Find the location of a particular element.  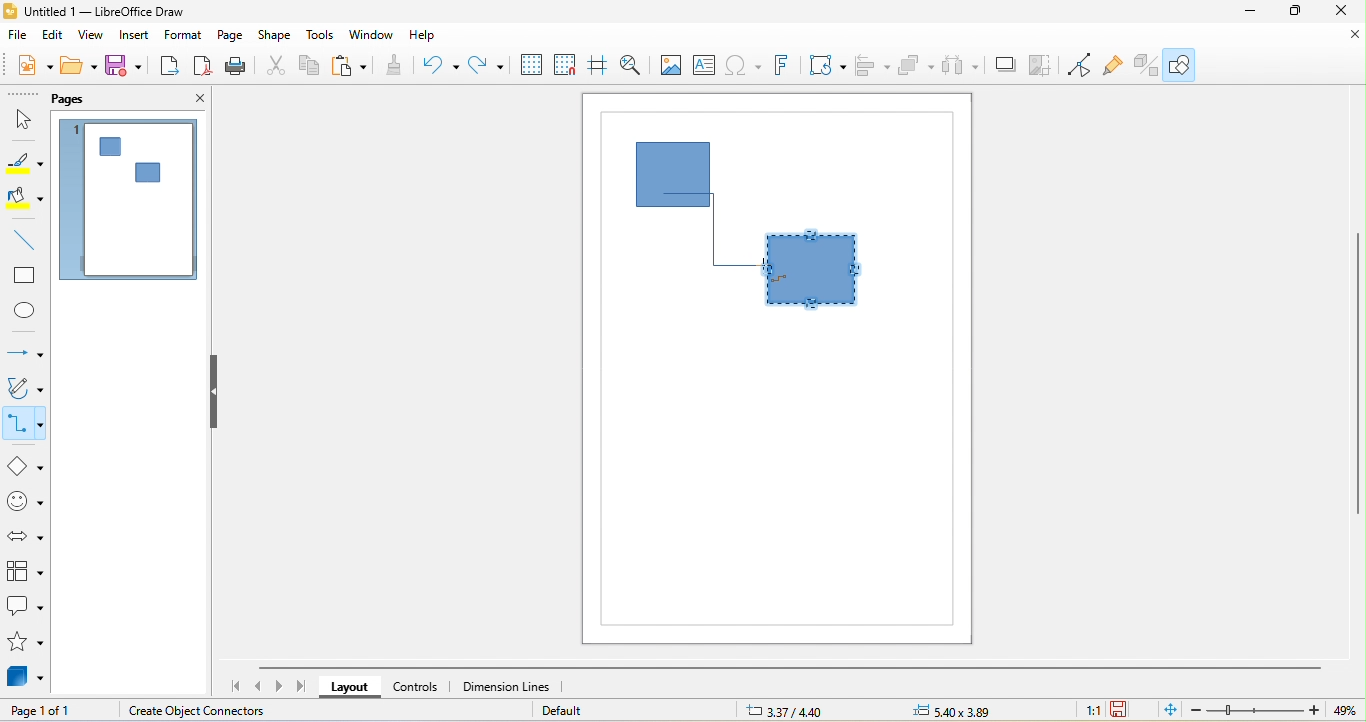

maximize is located at coordinates (1301, 11).